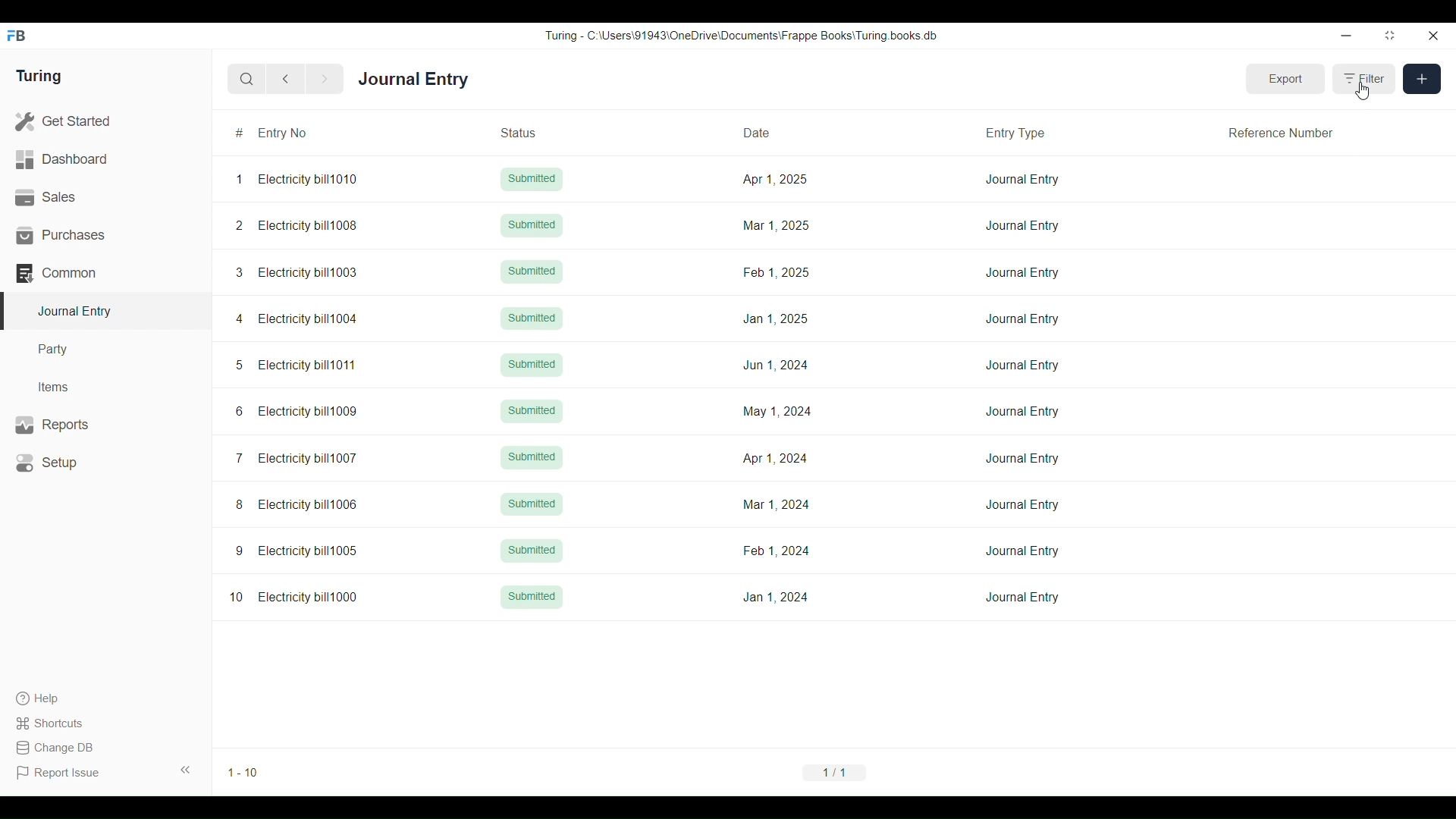 The image size is (1456, 819). What do you see at coordinates (186, 770) in the screenshot?
I see `Collapse sidebar` at bounding box center [186, 770].